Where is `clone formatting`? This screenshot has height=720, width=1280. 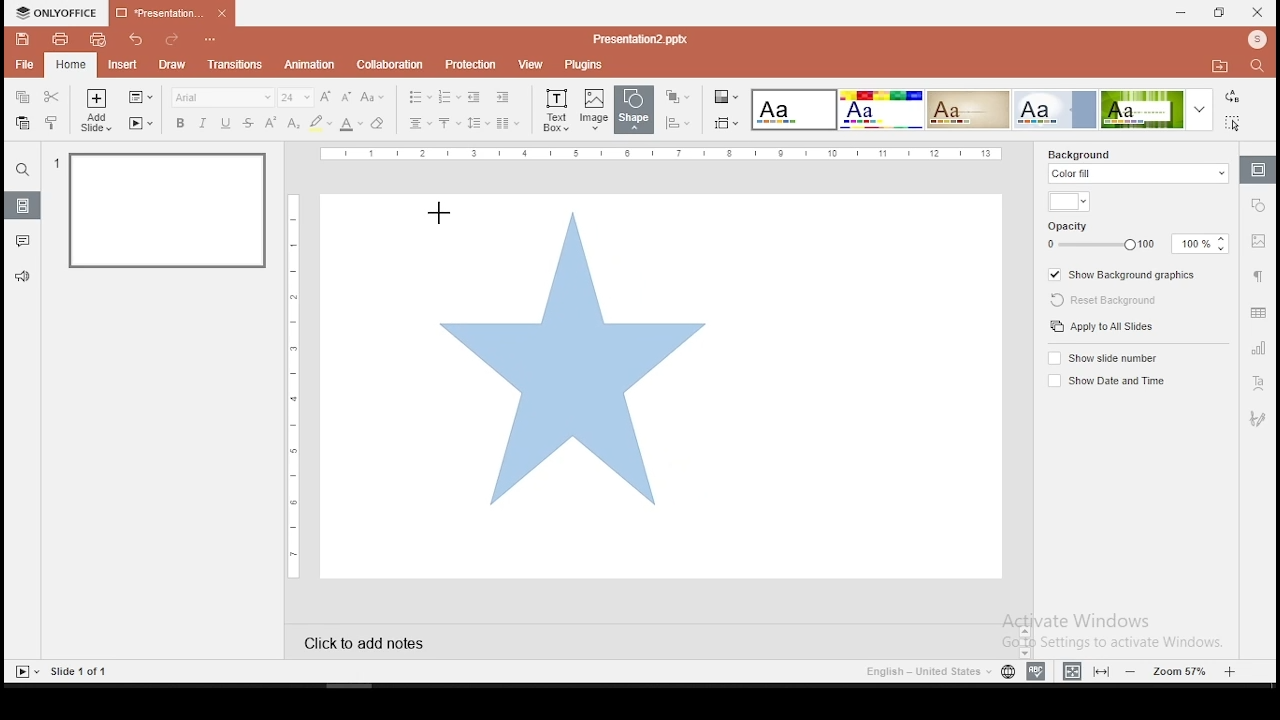 clone formatting is located at coordinates (52, 122).